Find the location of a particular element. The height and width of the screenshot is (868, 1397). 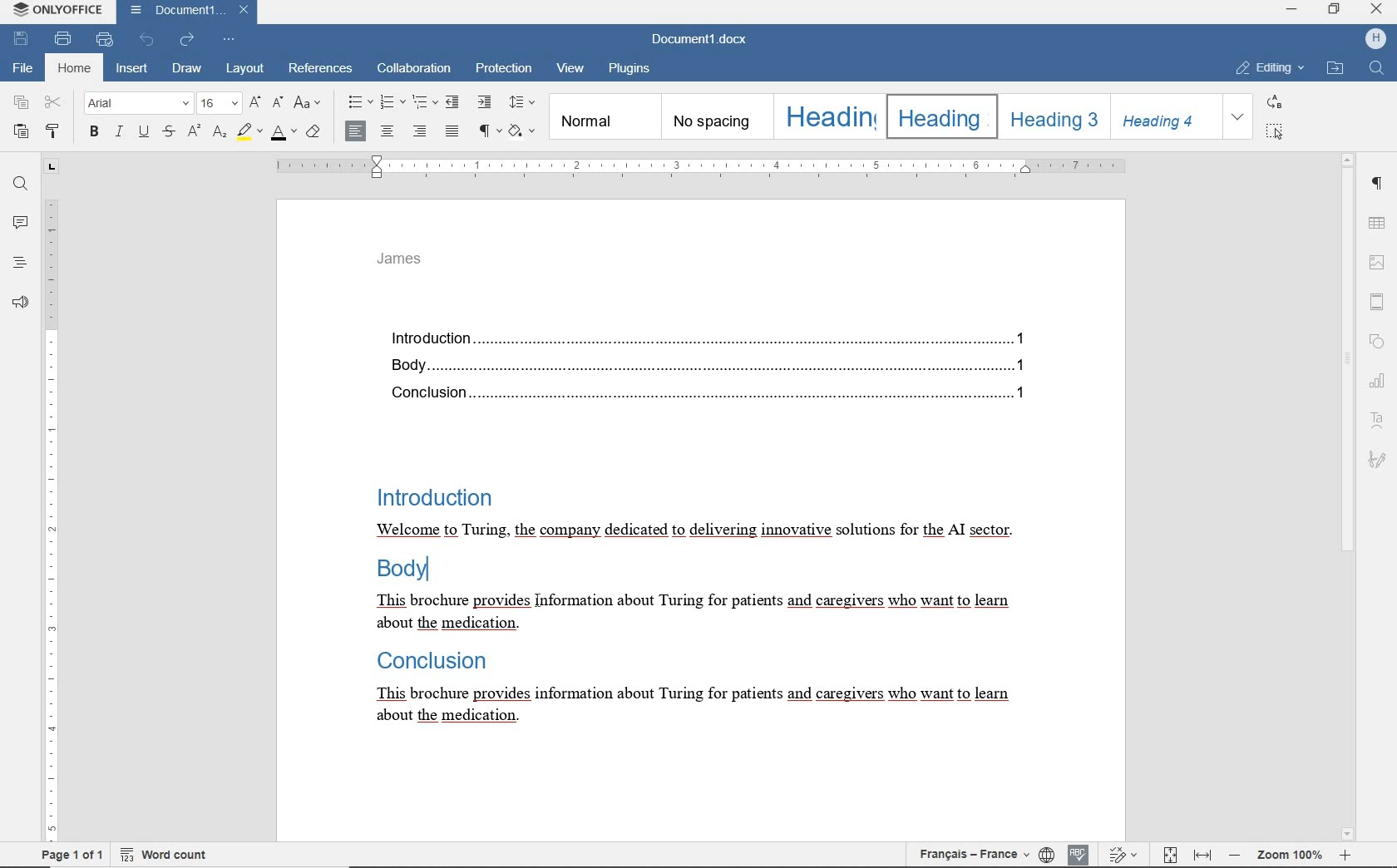

HOME is located at coordinates (72, 69).